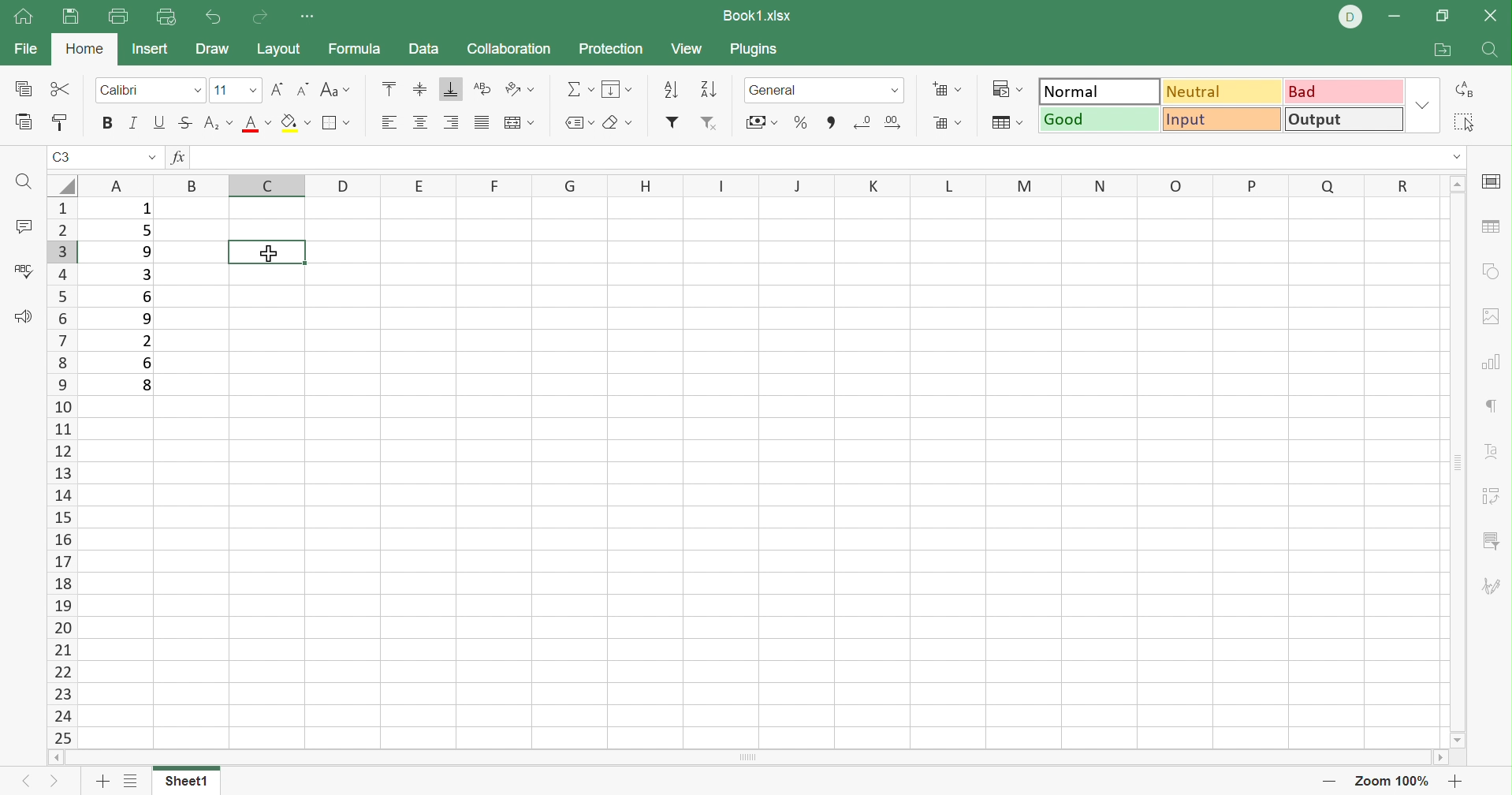 The width and height of the screenshot is (1512, 795). Describe the element at coordinates (671, 91) in the screenshot. I see `Ascending order` at that location.